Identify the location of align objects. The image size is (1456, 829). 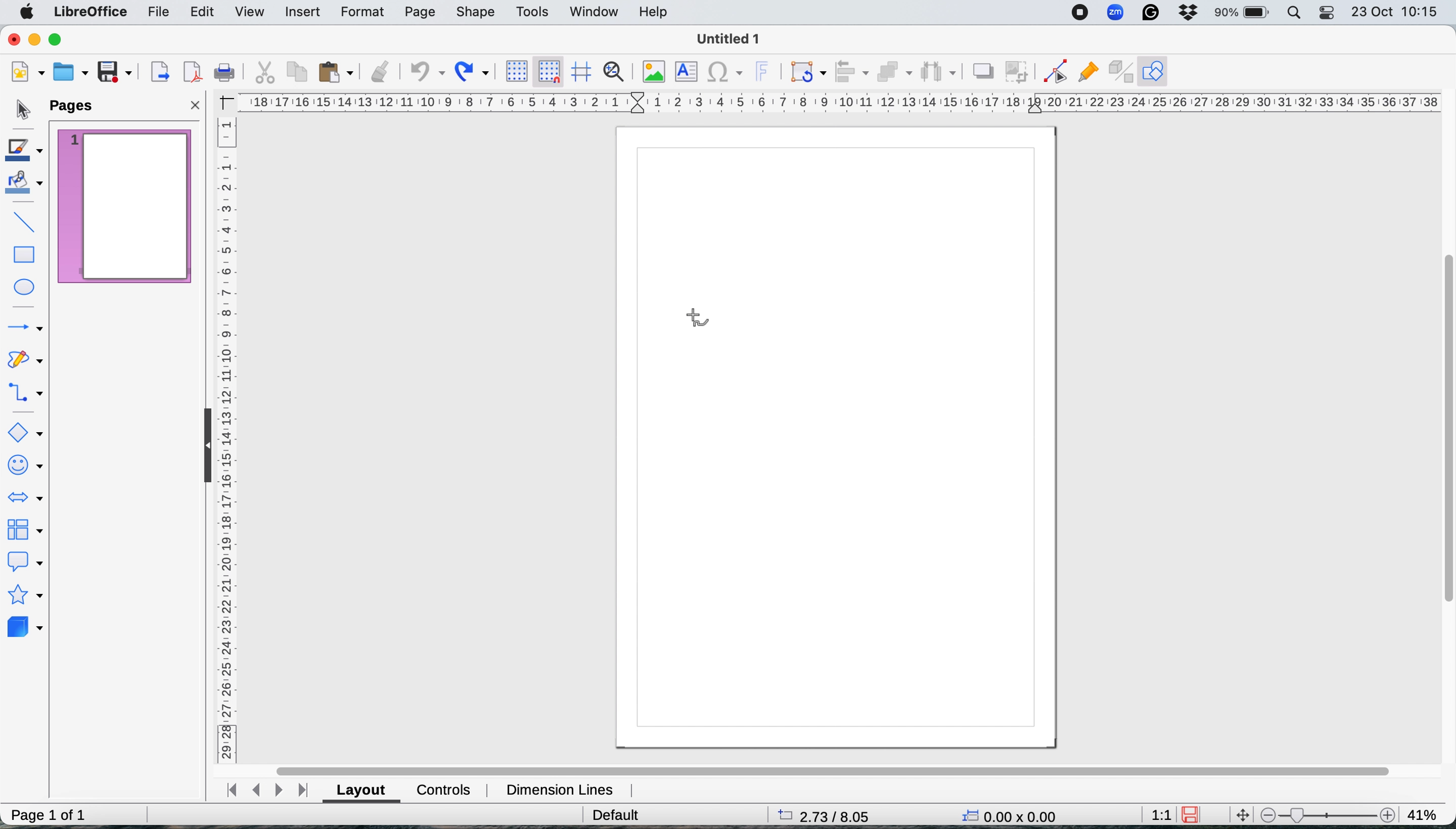
(851, 72).